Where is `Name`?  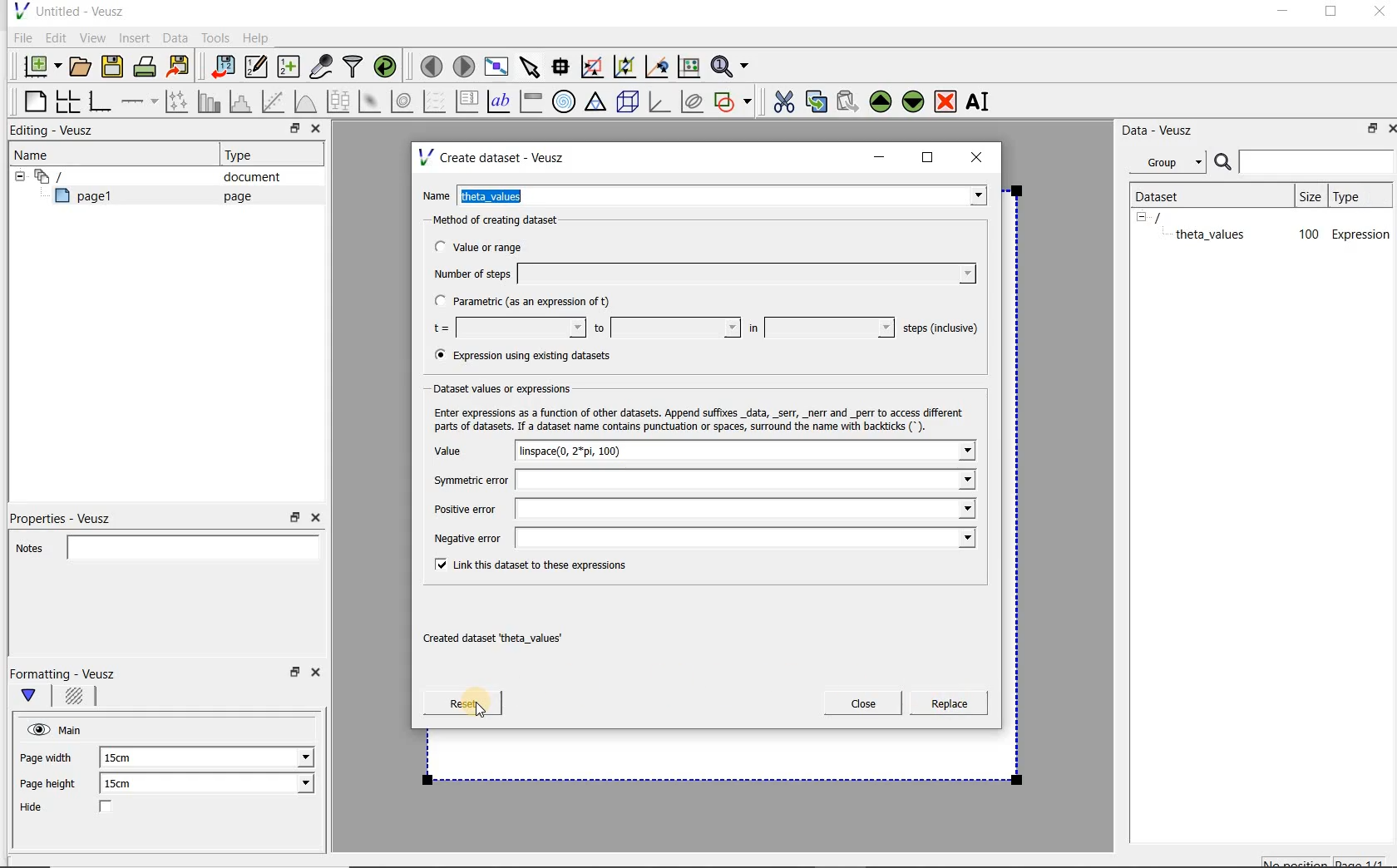
Name is located at coordinates (437, 194).